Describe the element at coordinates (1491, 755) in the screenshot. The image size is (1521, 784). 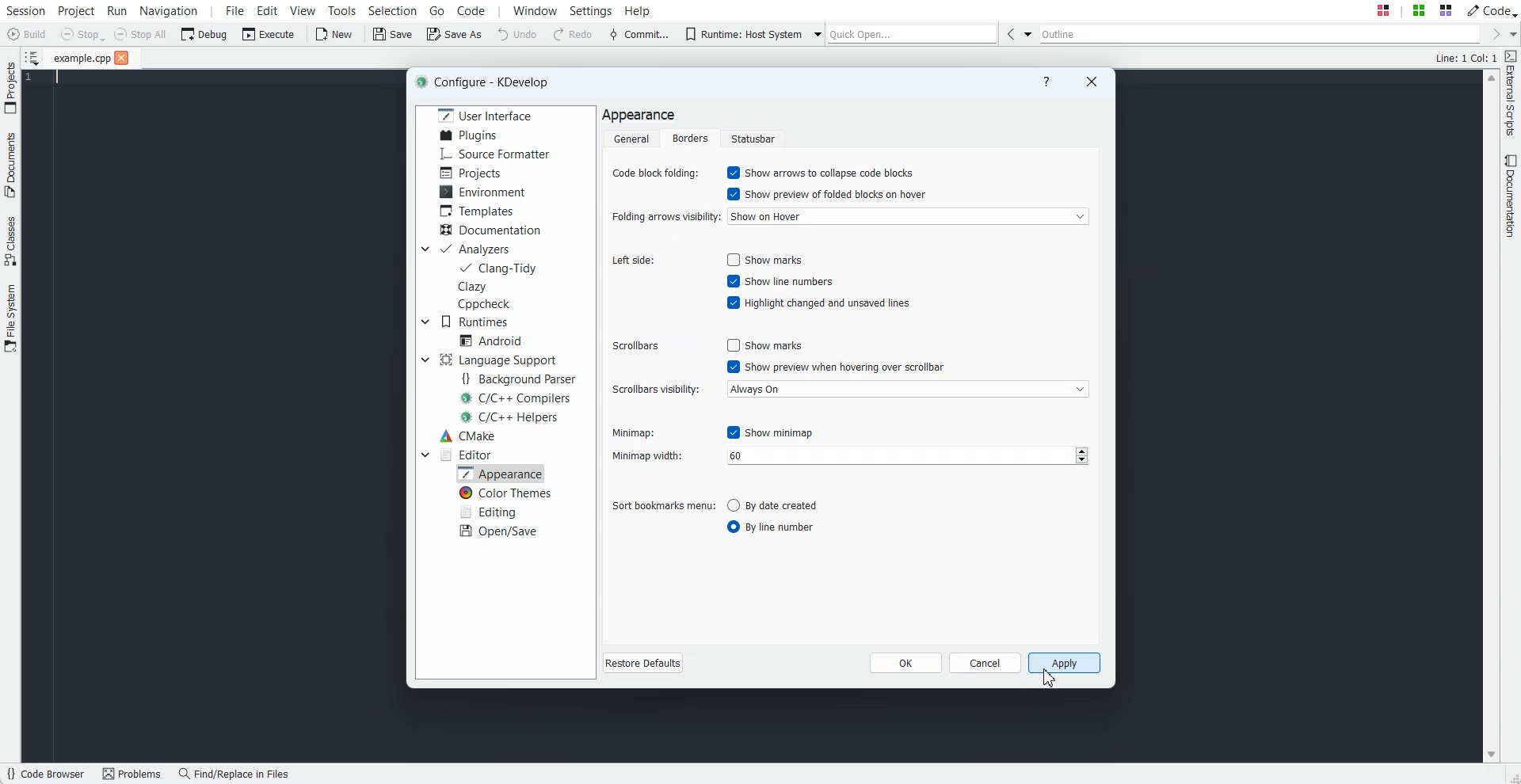
I see `Scroll down` at that location.